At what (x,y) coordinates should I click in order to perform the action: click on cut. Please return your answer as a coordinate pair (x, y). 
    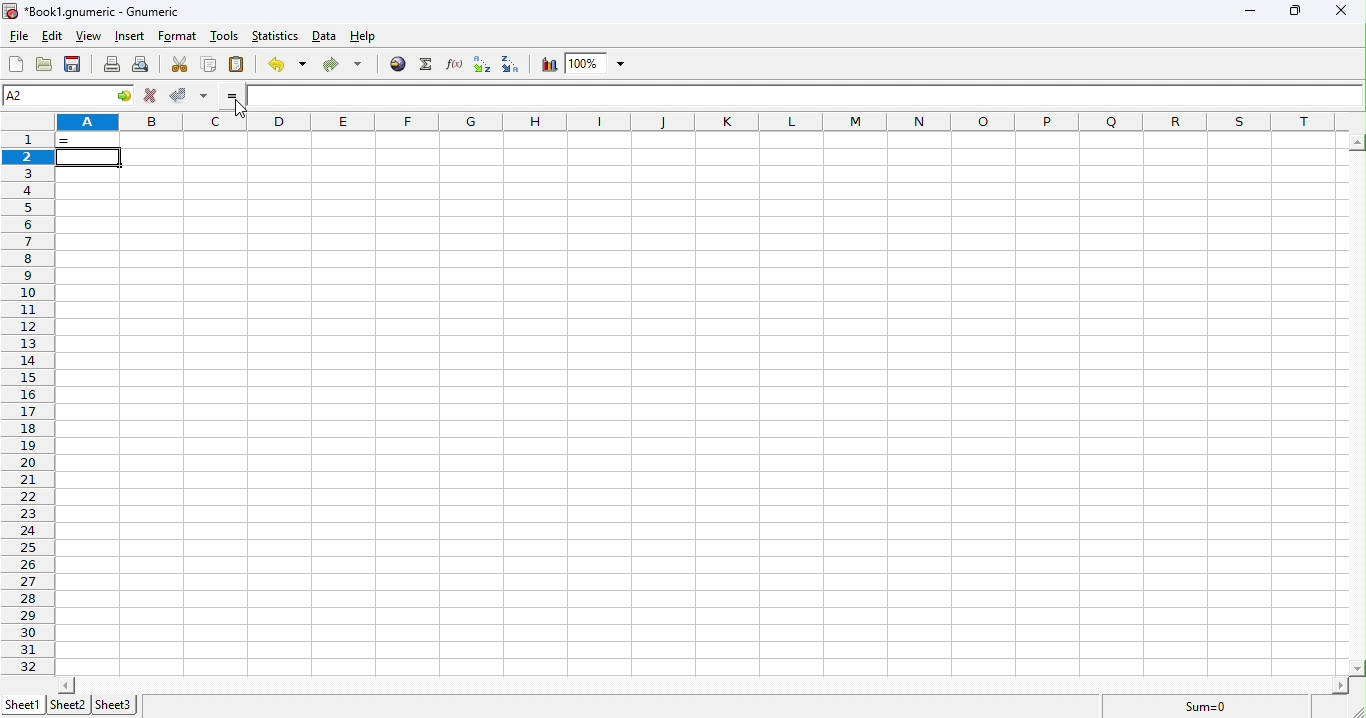
    Looking at the image, I should click on (181, 66).